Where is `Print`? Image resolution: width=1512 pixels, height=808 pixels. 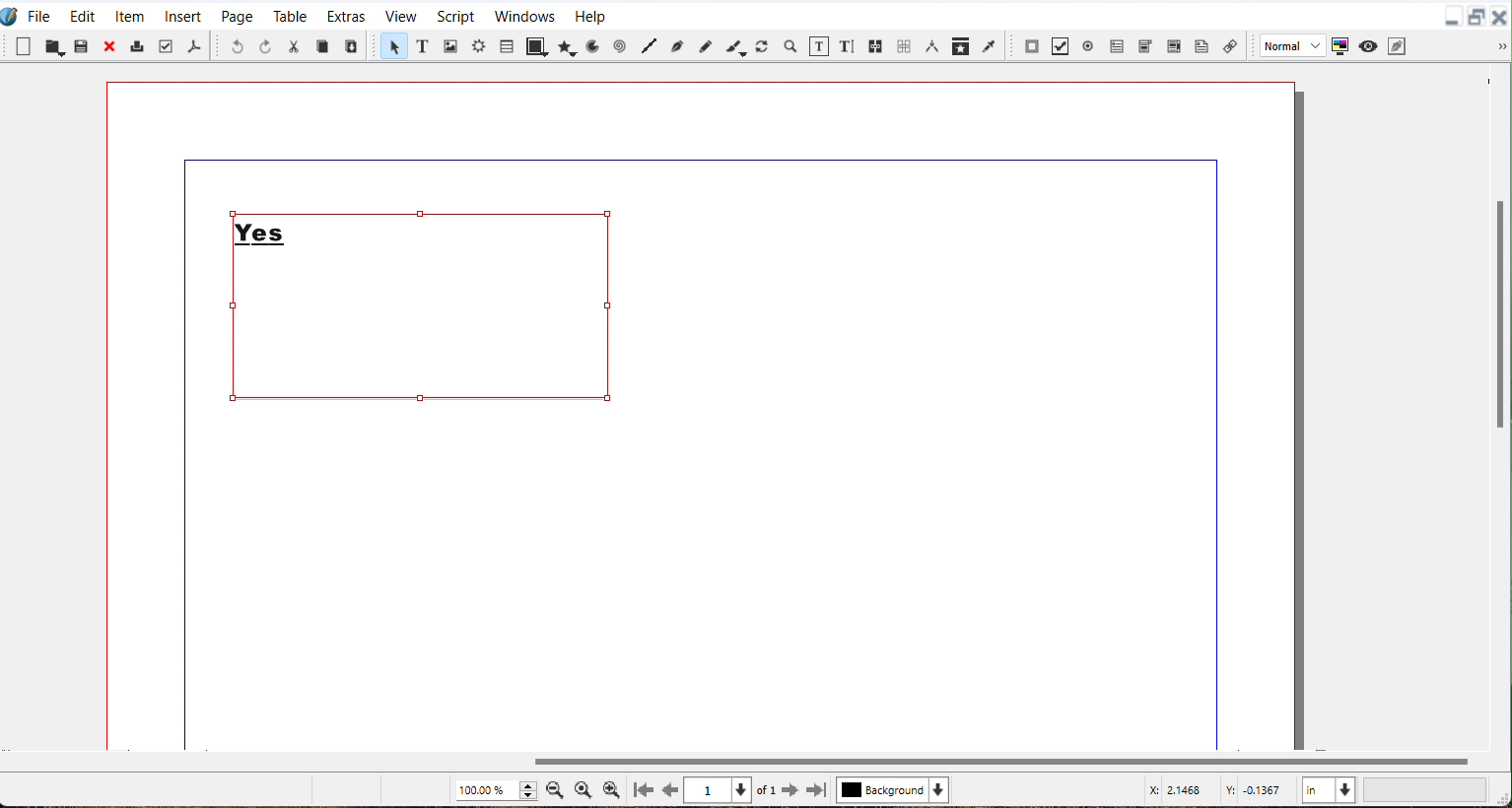
Print is located at coordinates (139, 45).